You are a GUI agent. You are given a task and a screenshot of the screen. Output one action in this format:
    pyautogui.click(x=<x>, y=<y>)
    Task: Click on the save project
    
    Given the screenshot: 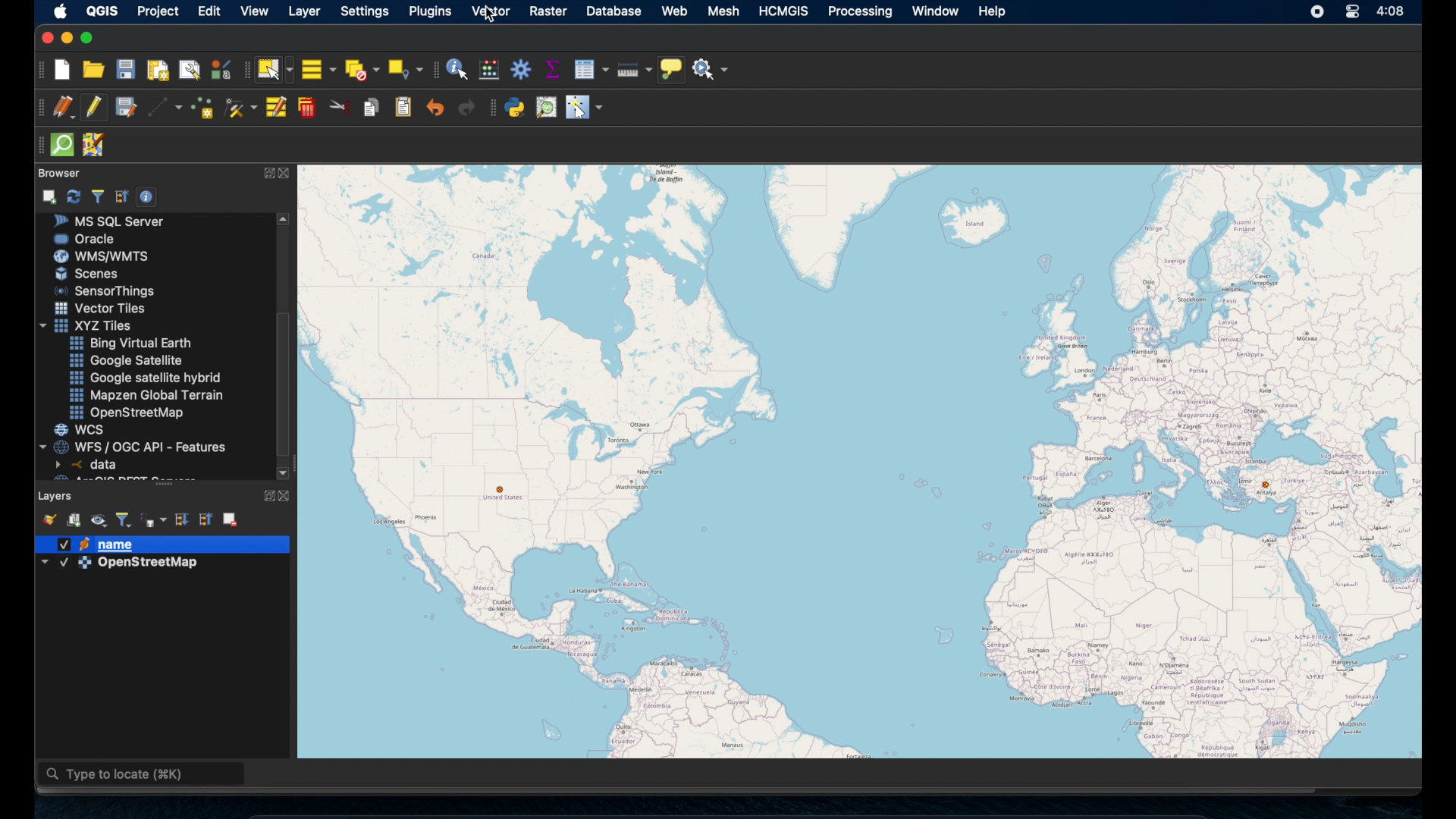 What is the action you would take?
    pyautogui.click(x=126, y=71)
    